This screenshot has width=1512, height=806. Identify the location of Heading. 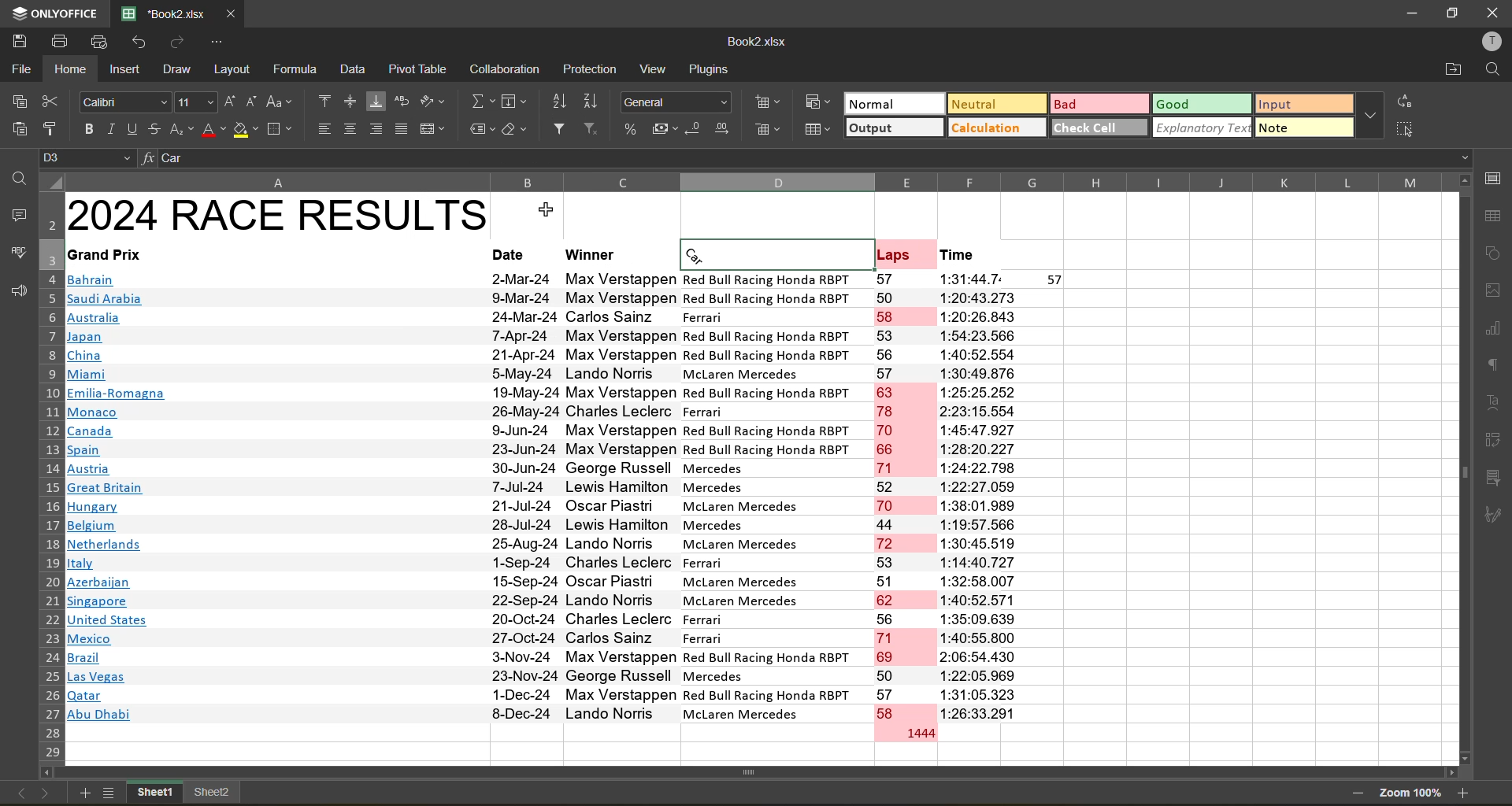
(282, 215).